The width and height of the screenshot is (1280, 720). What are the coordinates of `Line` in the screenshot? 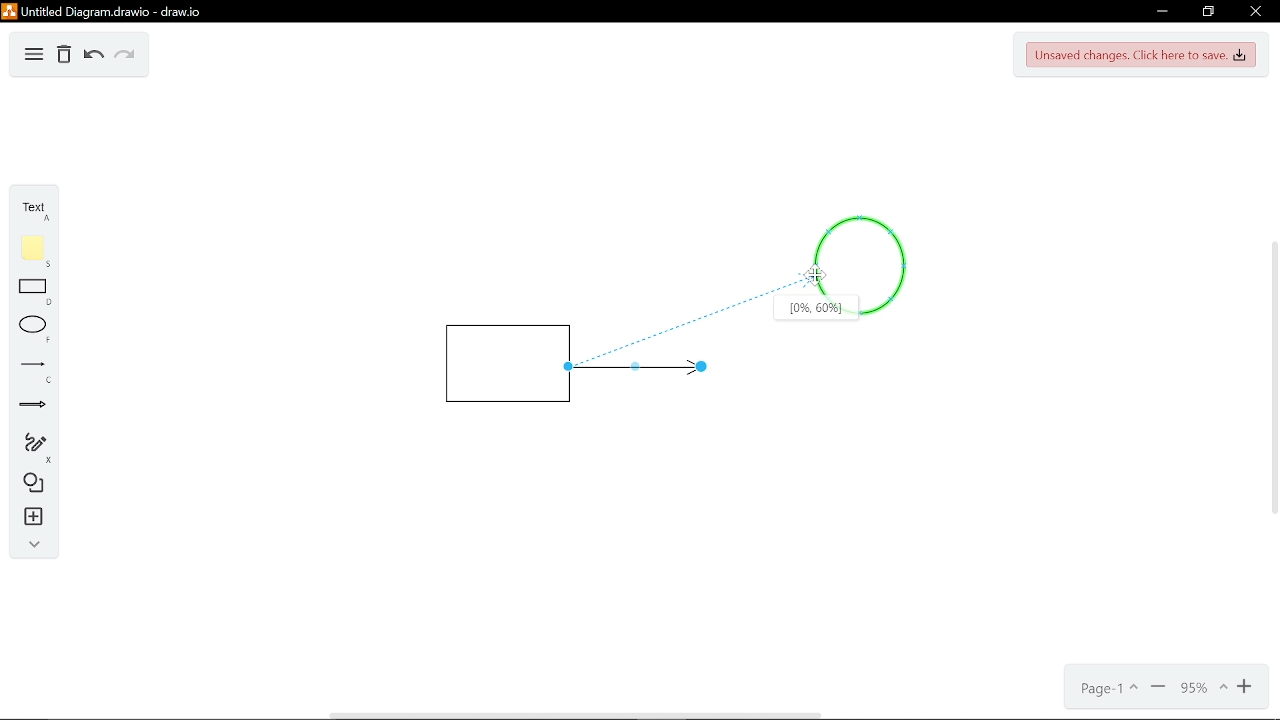 It's located at (637, 367).